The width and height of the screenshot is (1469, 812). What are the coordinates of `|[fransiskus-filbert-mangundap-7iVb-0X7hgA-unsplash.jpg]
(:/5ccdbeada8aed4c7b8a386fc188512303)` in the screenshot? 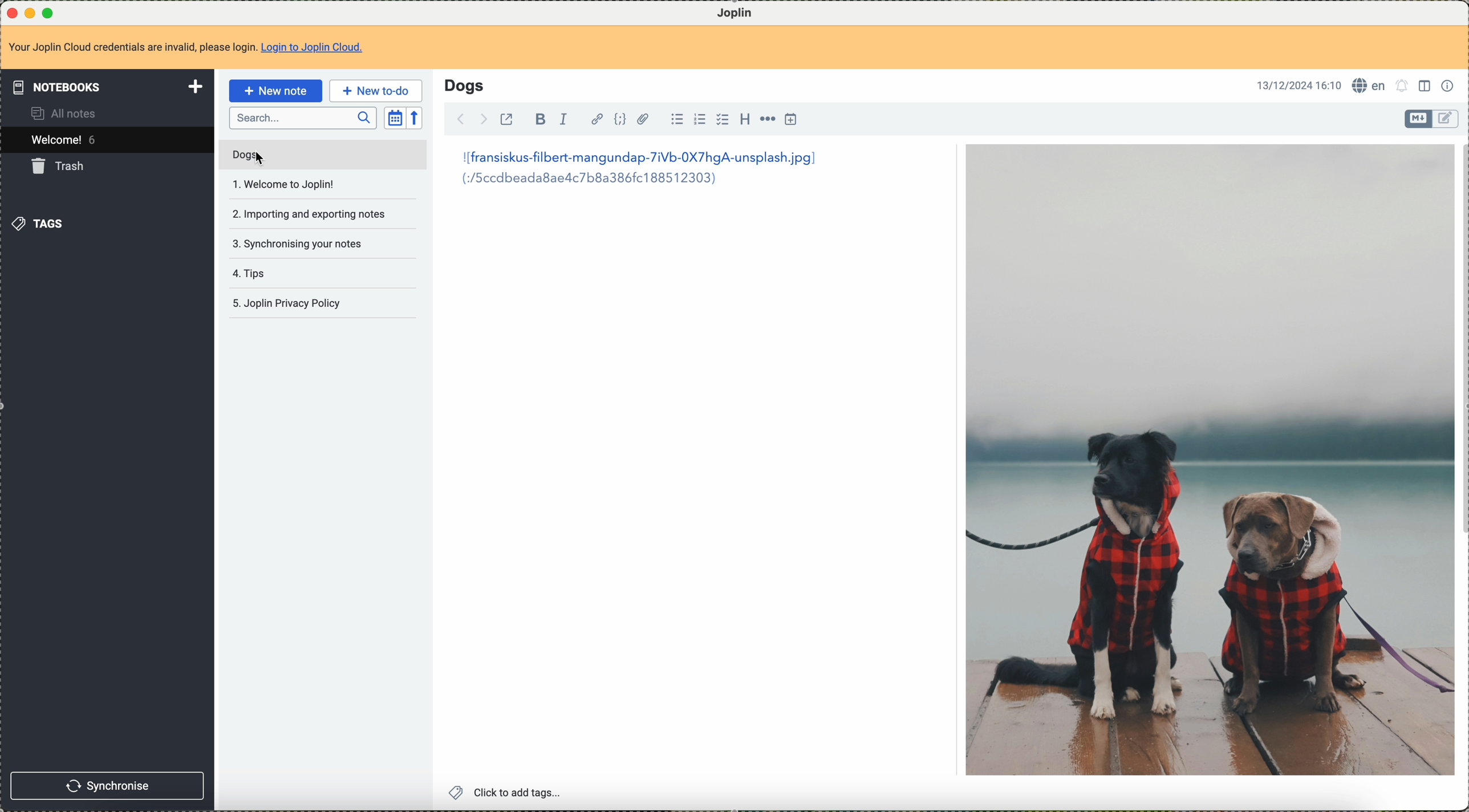 It's located at (644, 170).